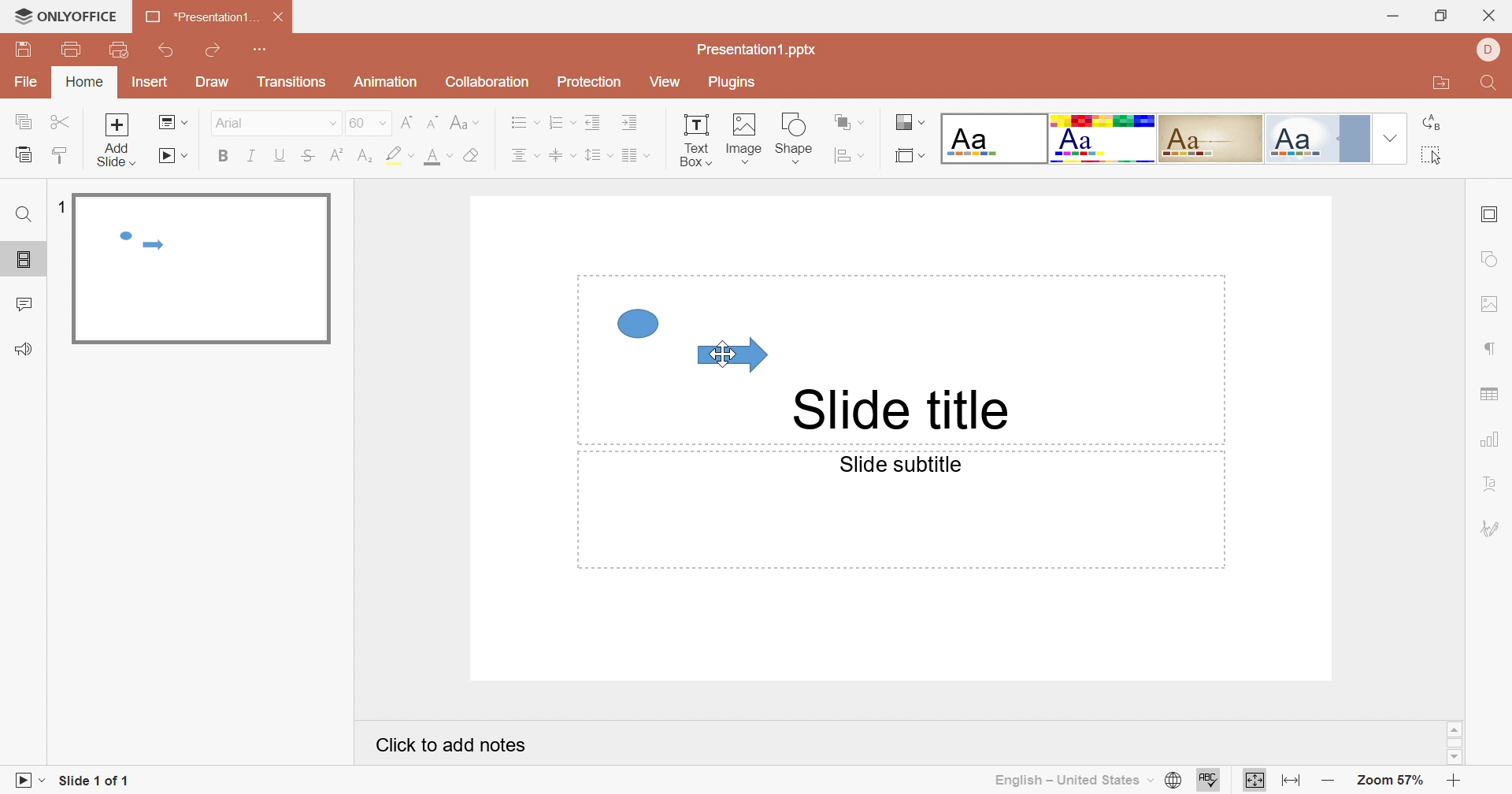 The image size is (1512, 794). I want to click on Bold, so click(220, 157).